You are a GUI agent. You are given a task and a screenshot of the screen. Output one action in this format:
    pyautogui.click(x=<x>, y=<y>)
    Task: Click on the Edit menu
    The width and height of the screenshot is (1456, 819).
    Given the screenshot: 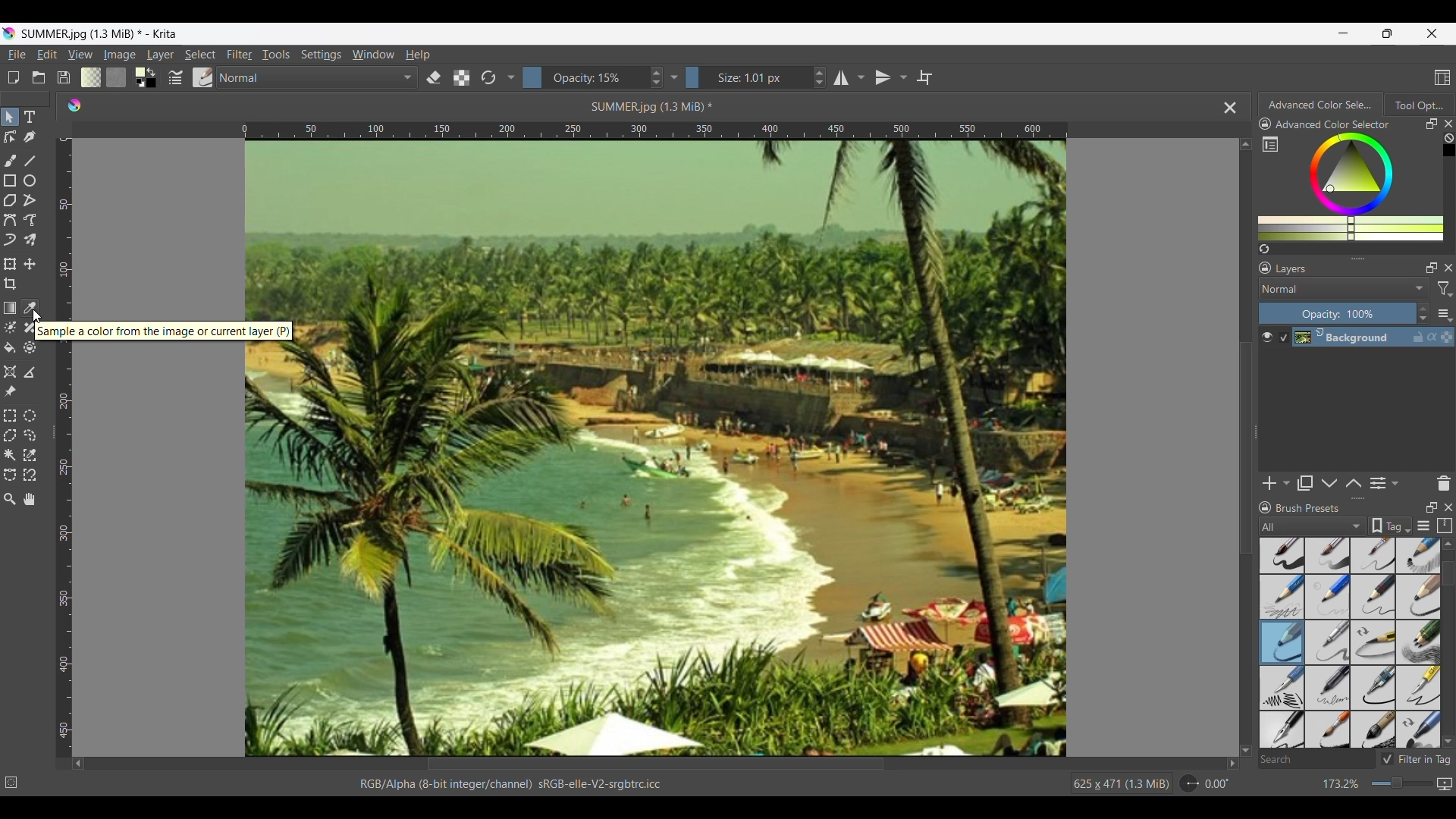 What is the action you would take?
    pyautogui.click(x=45, y=54)
    